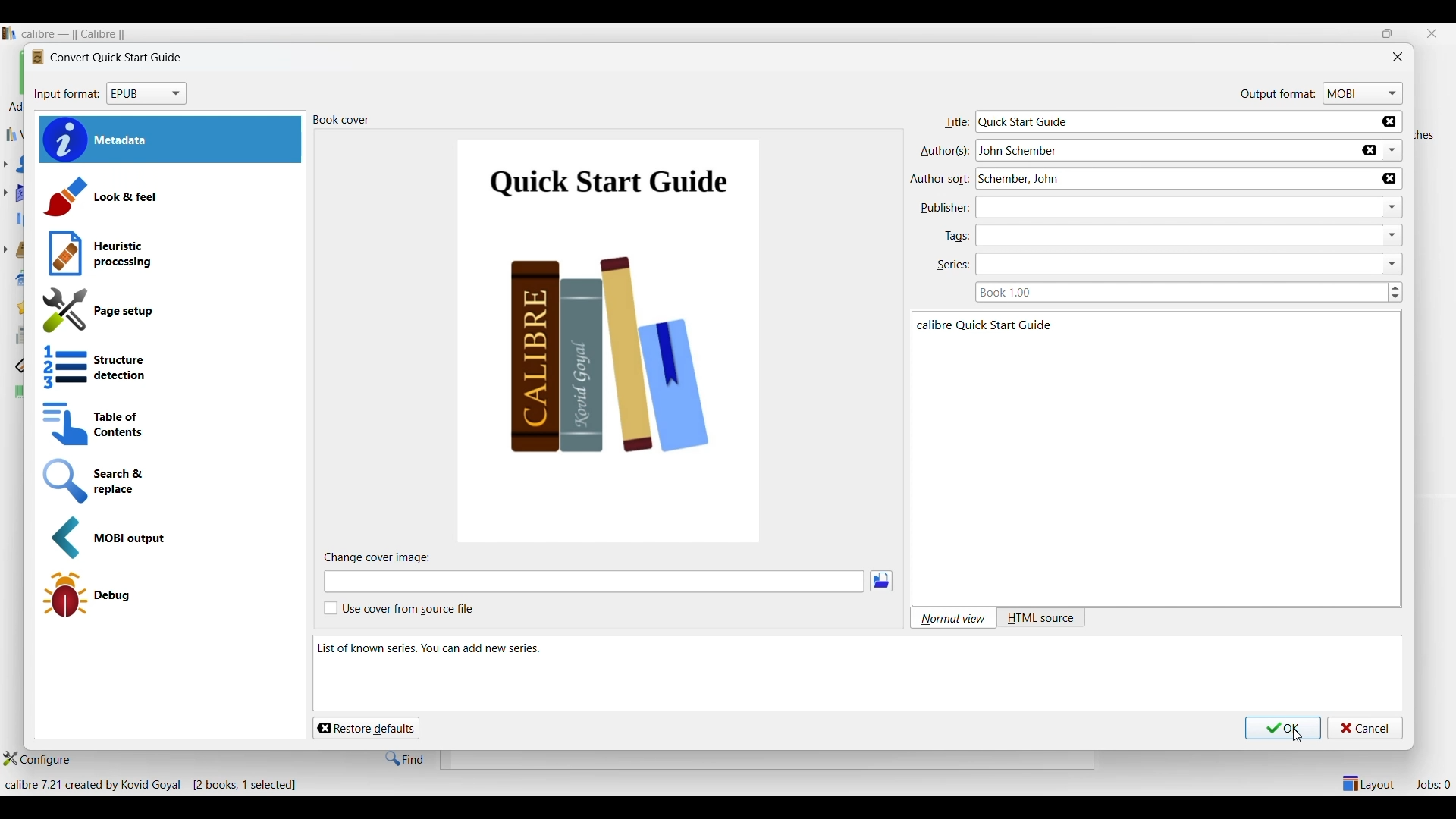 The width and height of the screenshot is (1456, 819). Describe the element at coordinates (1366, 728) in the screenshot. I see `Cancel` at that location.